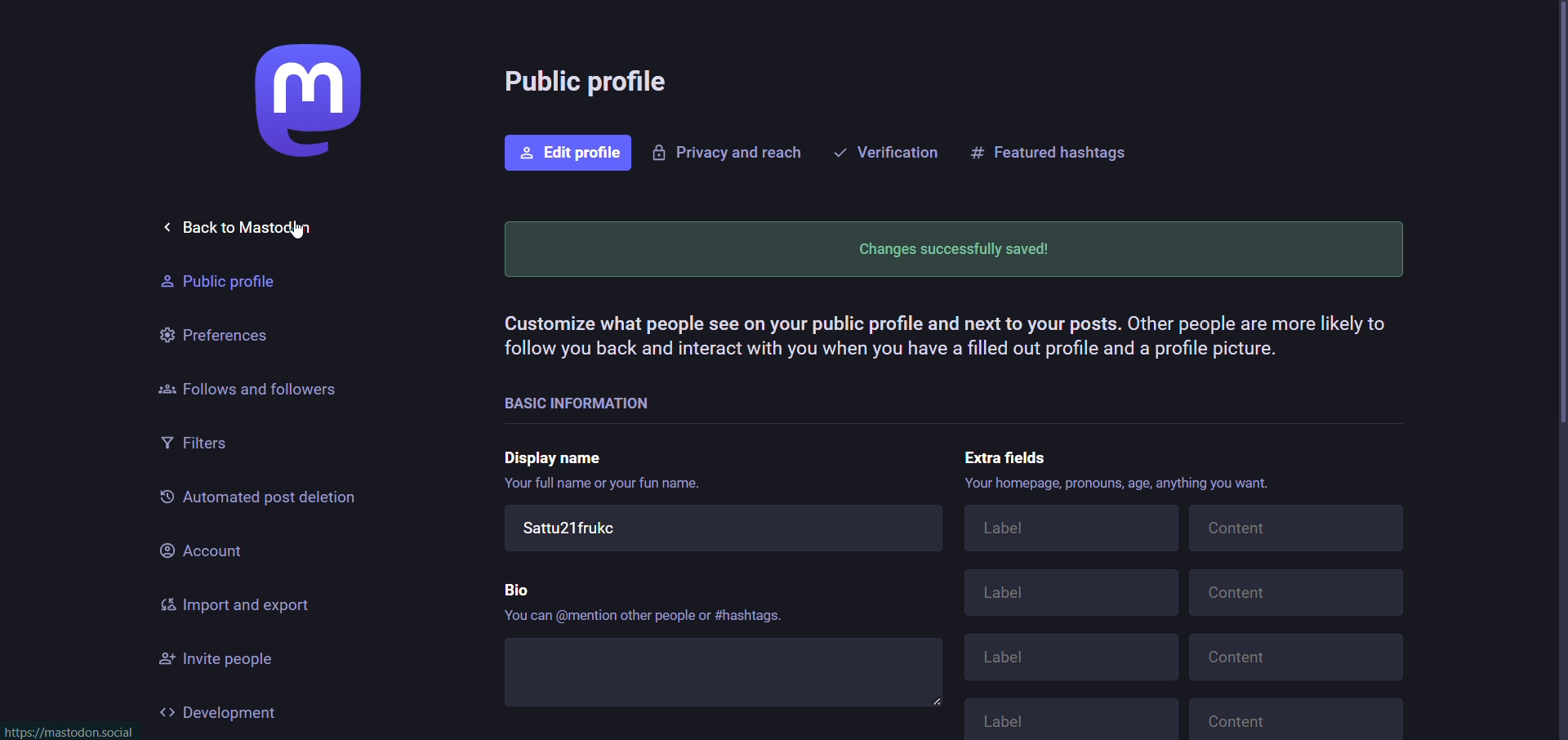  I want to click on Changes successfully saved!, so click(950, 249).